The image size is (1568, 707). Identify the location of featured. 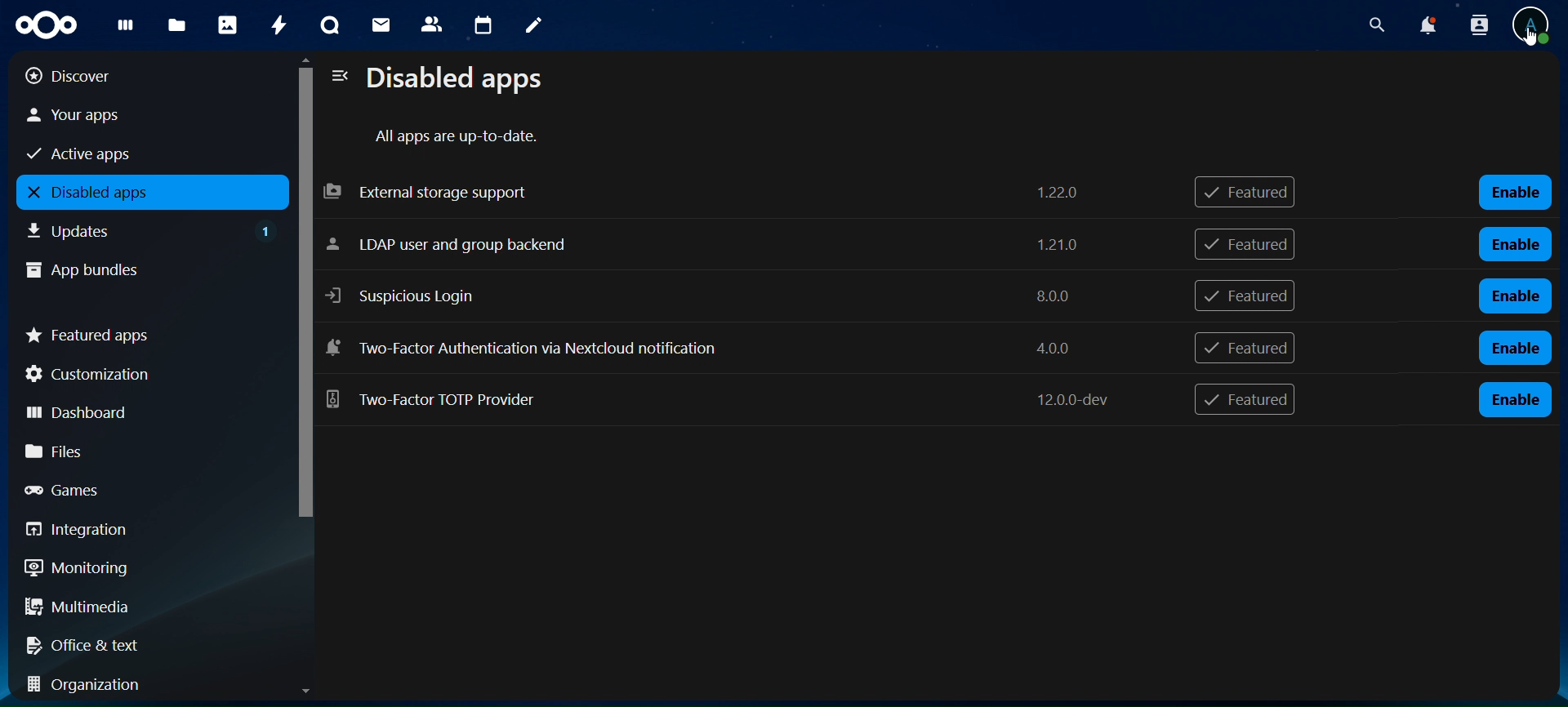
(1244, 348).